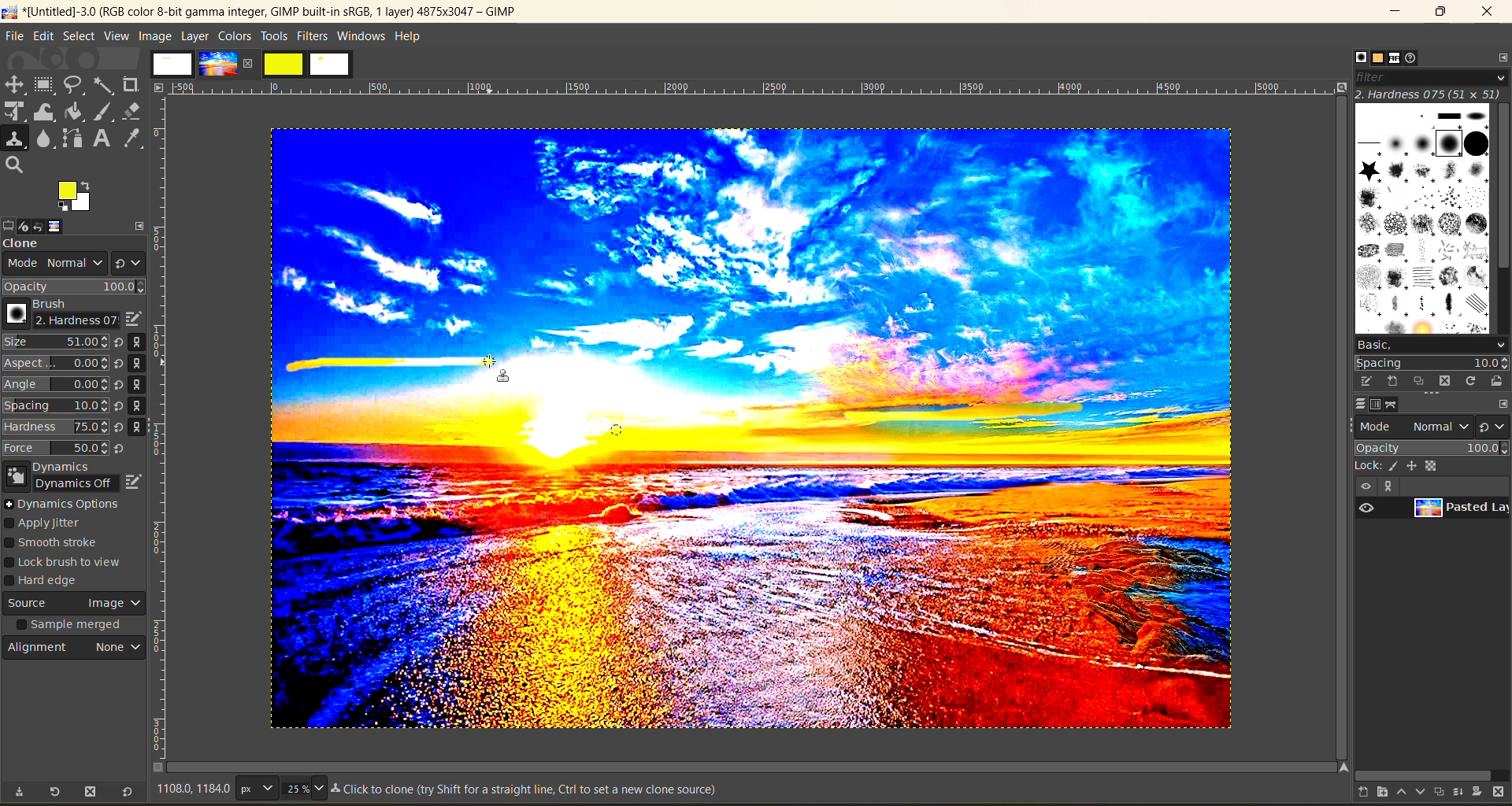 The width and height of the screenshot is (1512, 806). I want to click on edit, so click(135, 479).